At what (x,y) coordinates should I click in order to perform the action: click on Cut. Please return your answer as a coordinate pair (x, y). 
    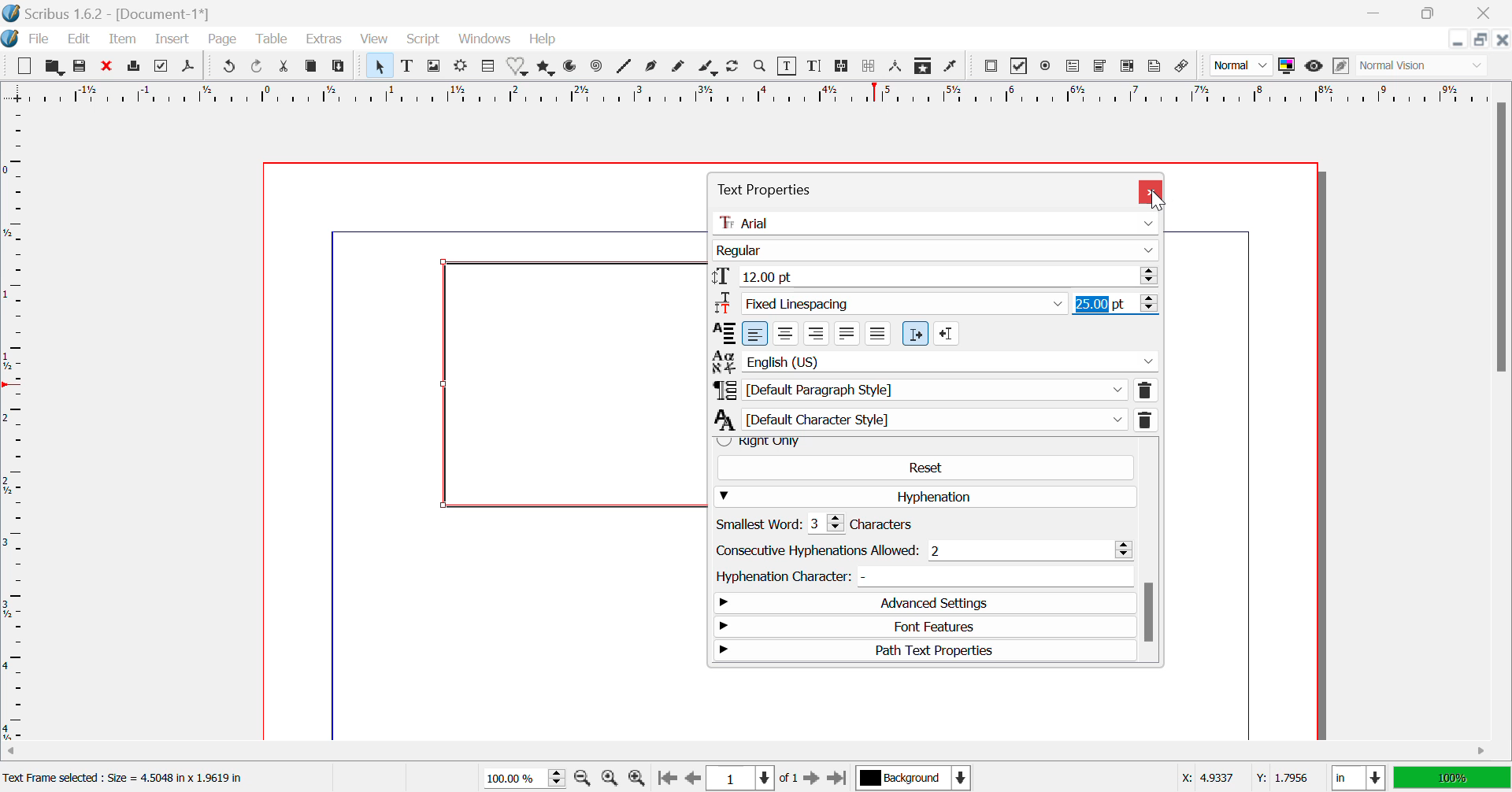
    Looking at the image, I should click on (284, 66).